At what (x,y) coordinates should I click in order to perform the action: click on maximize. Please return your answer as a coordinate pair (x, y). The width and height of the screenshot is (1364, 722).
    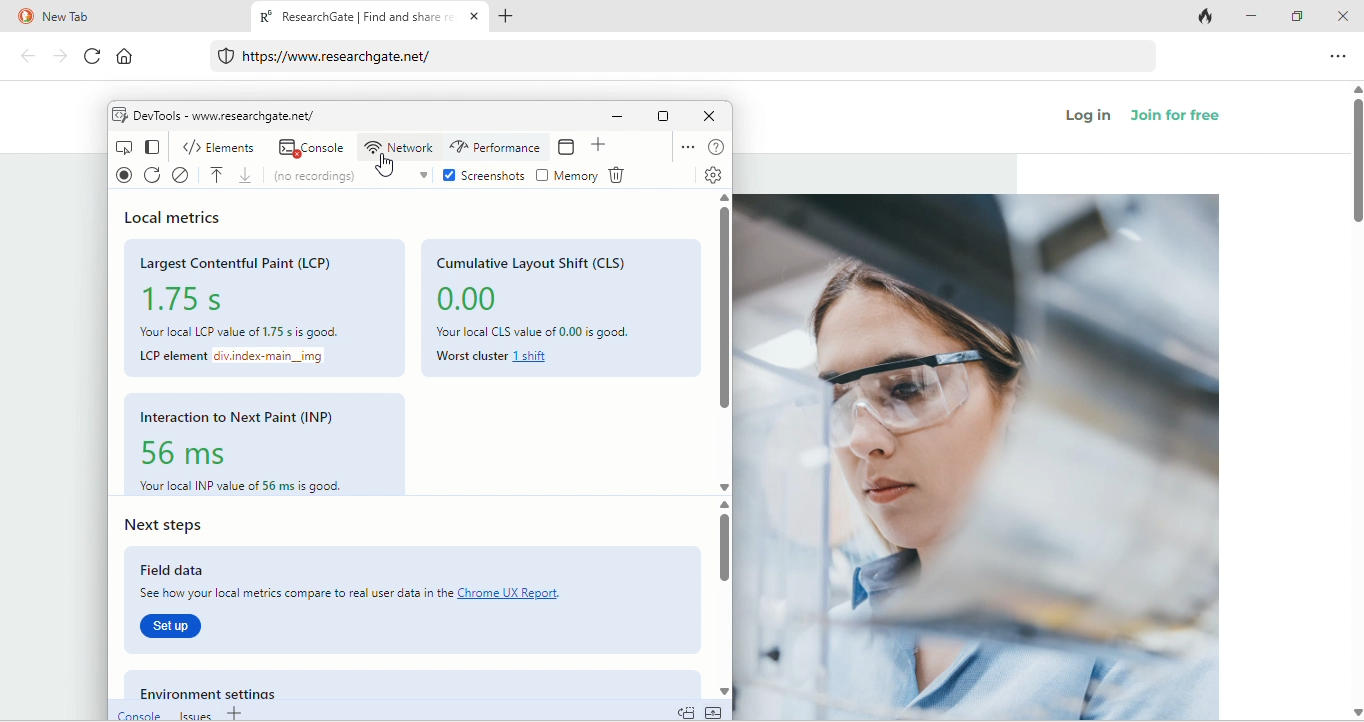
    Looking at the image, I should click on (1300, 15).